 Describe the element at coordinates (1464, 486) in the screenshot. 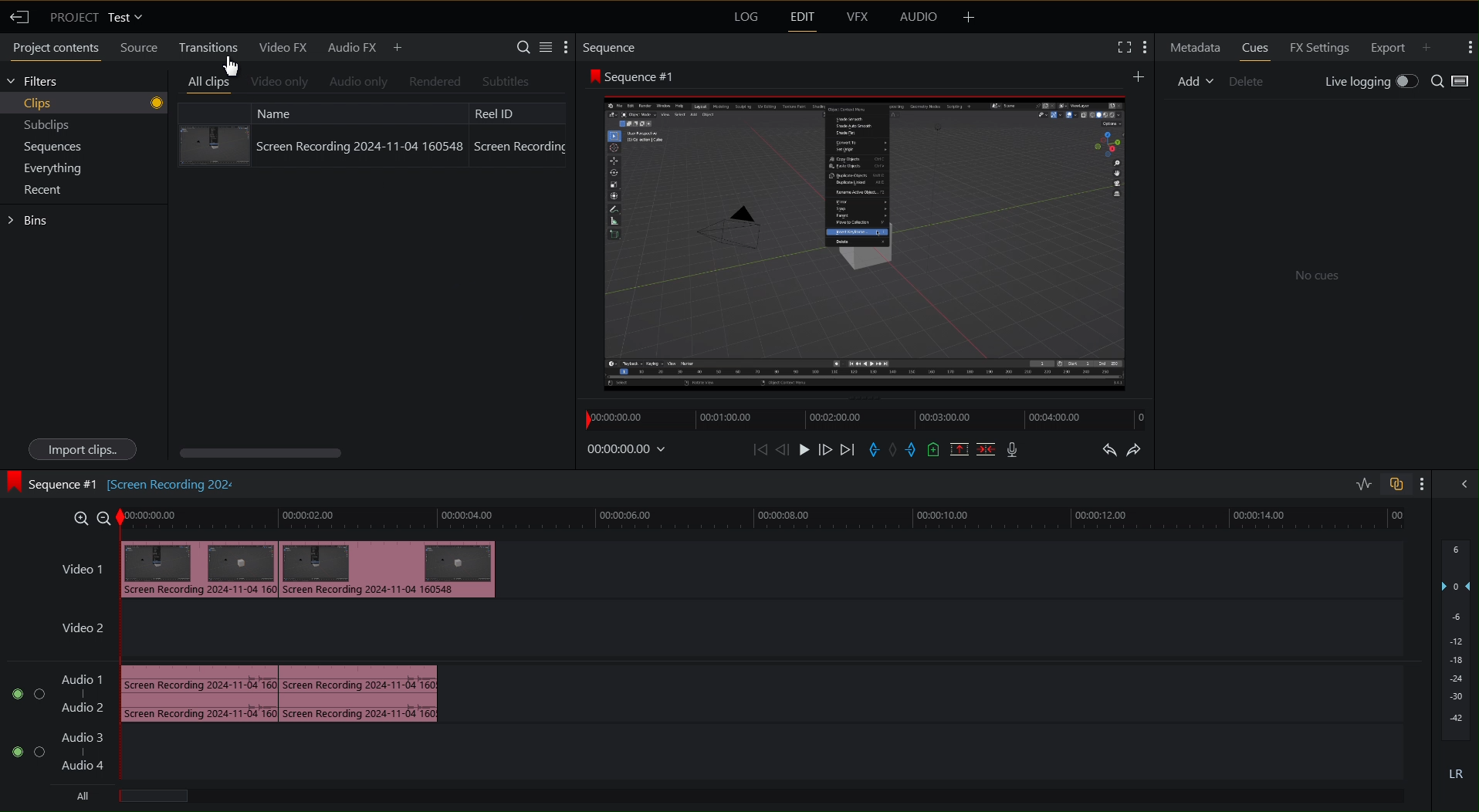

I see `Collapse` at that location.